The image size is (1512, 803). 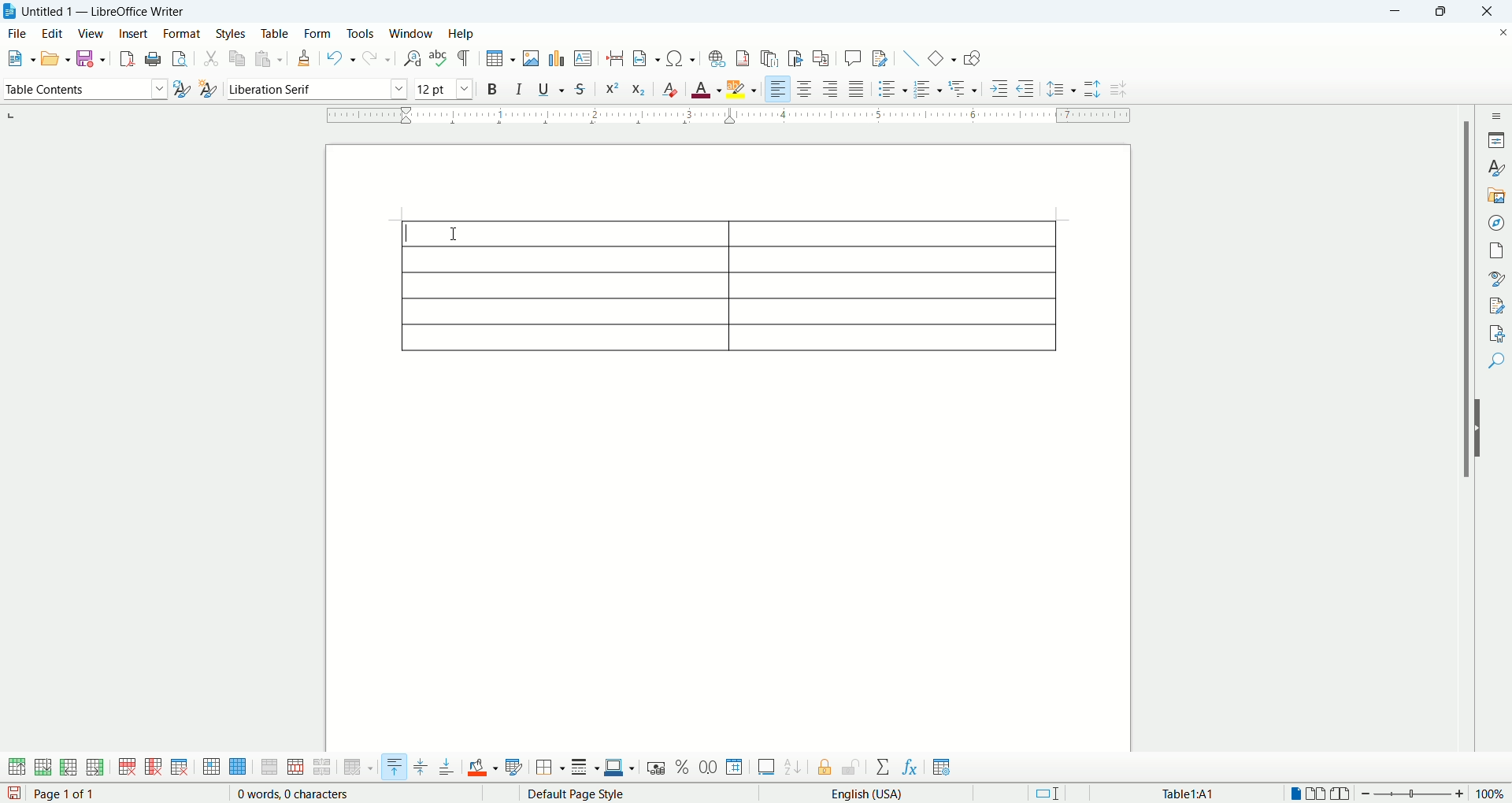 What do you see at coordinates (304, 57) in the screenshot?
I see `clone formatting` at bounding box center [304, 57].